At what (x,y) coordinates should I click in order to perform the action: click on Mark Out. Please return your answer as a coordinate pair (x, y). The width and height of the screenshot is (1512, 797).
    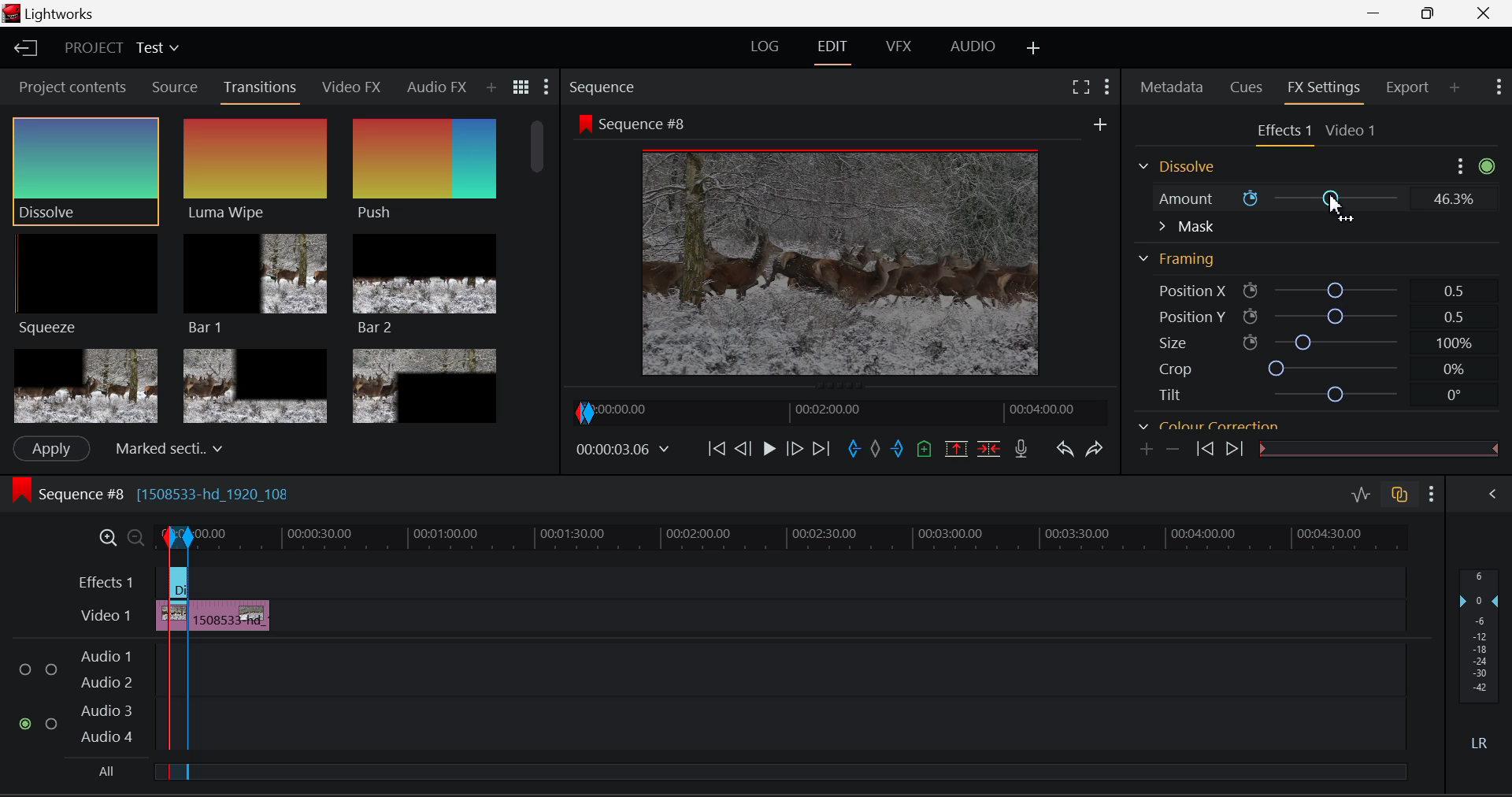
    Looking at the image, I should click on (898, 451).